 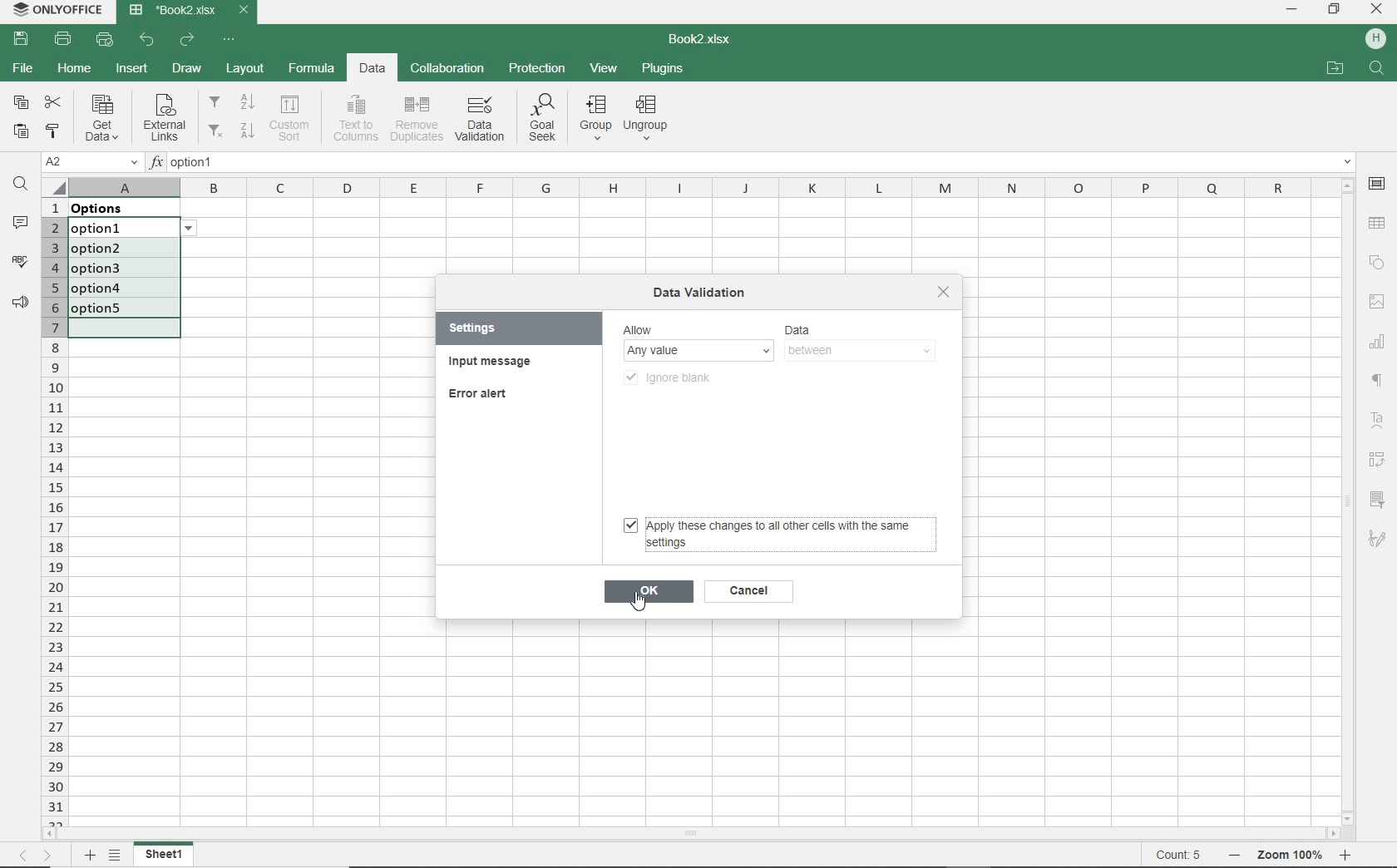 I want to click on LAYOUT, so click(x=245, y=68).